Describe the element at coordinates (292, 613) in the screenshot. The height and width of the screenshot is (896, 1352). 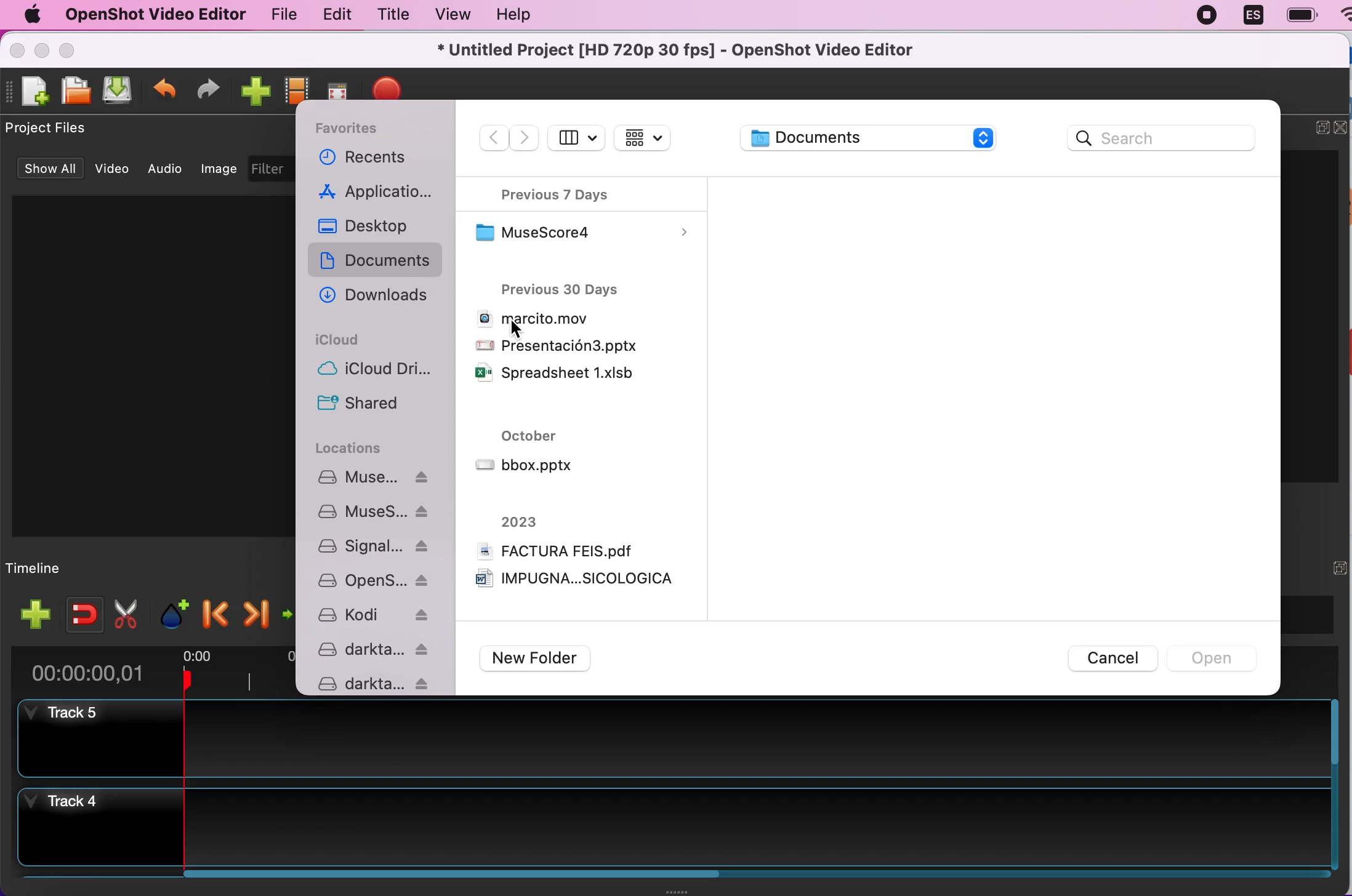
I see `center the timeline` at that location.